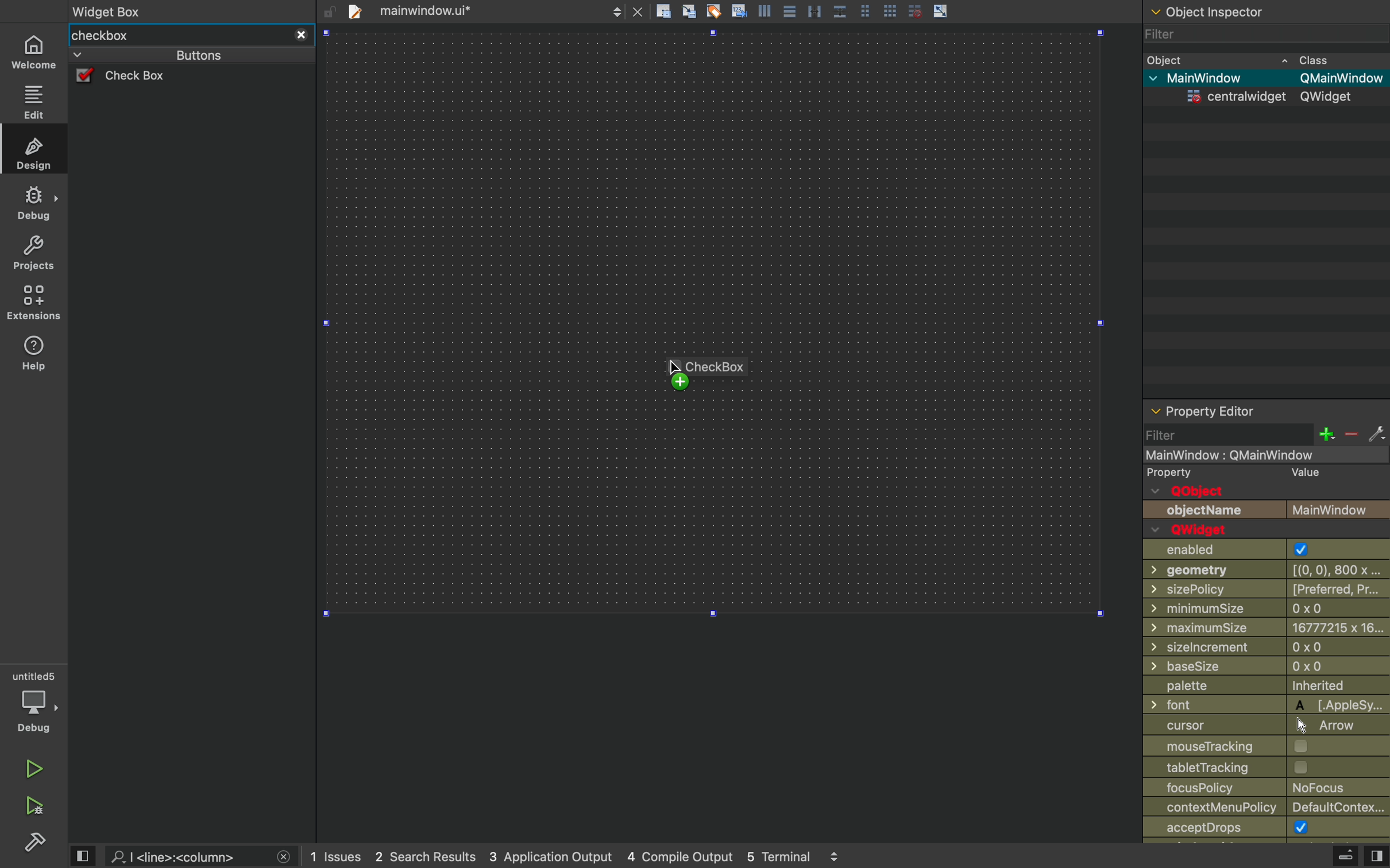 This screenshot has height=868, width=1390. I want to click on view, so click(1376, 857).